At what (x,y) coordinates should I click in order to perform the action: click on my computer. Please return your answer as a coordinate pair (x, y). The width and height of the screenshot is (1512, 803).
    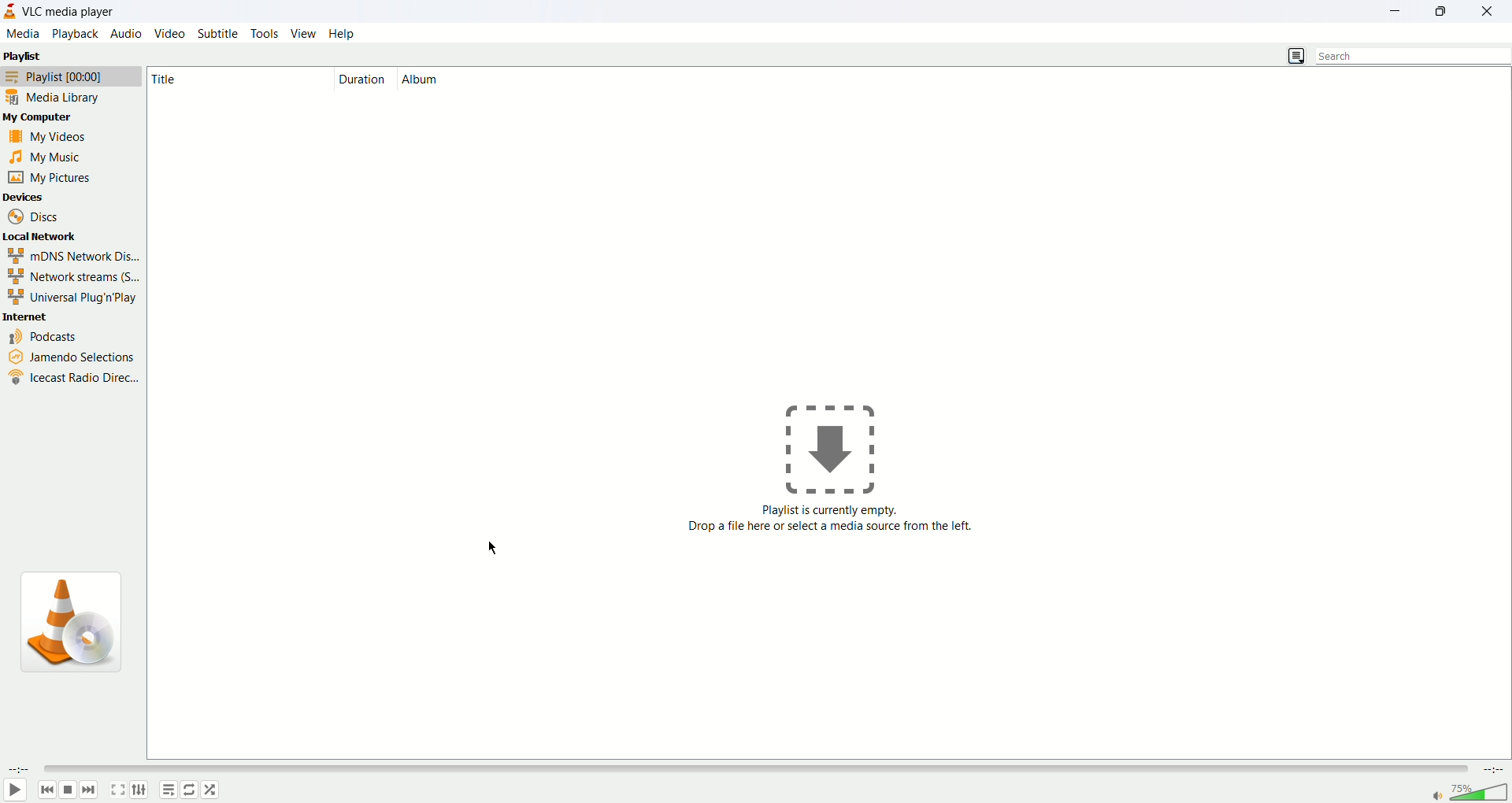
    Looking at the image, I should click on (67, 118).